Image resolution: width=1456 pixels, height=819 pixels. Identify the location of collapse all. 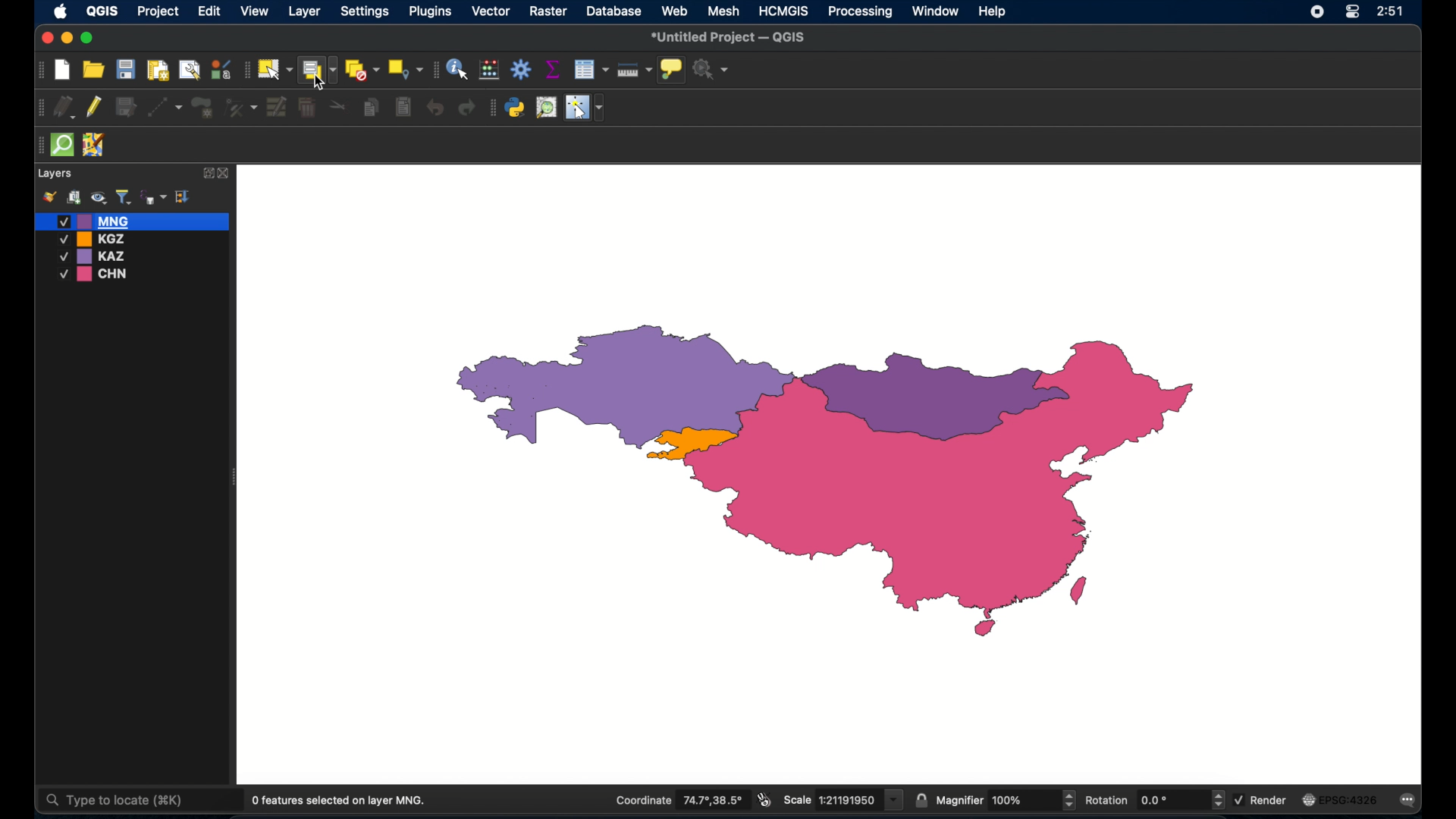
(184, 196).